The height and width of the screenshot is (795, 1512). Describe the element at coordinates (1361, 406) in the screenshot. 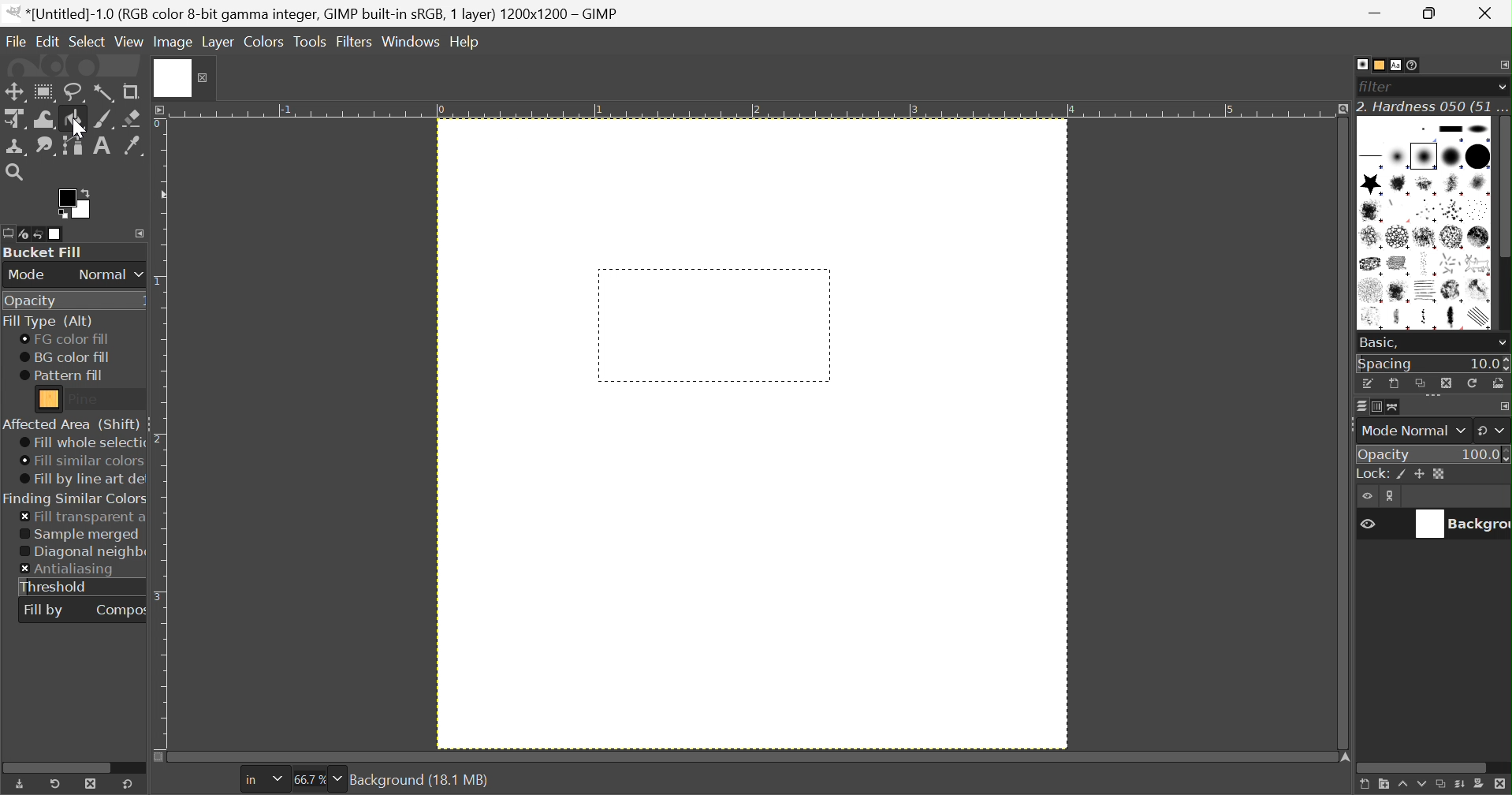

I see `Layers` at that location.